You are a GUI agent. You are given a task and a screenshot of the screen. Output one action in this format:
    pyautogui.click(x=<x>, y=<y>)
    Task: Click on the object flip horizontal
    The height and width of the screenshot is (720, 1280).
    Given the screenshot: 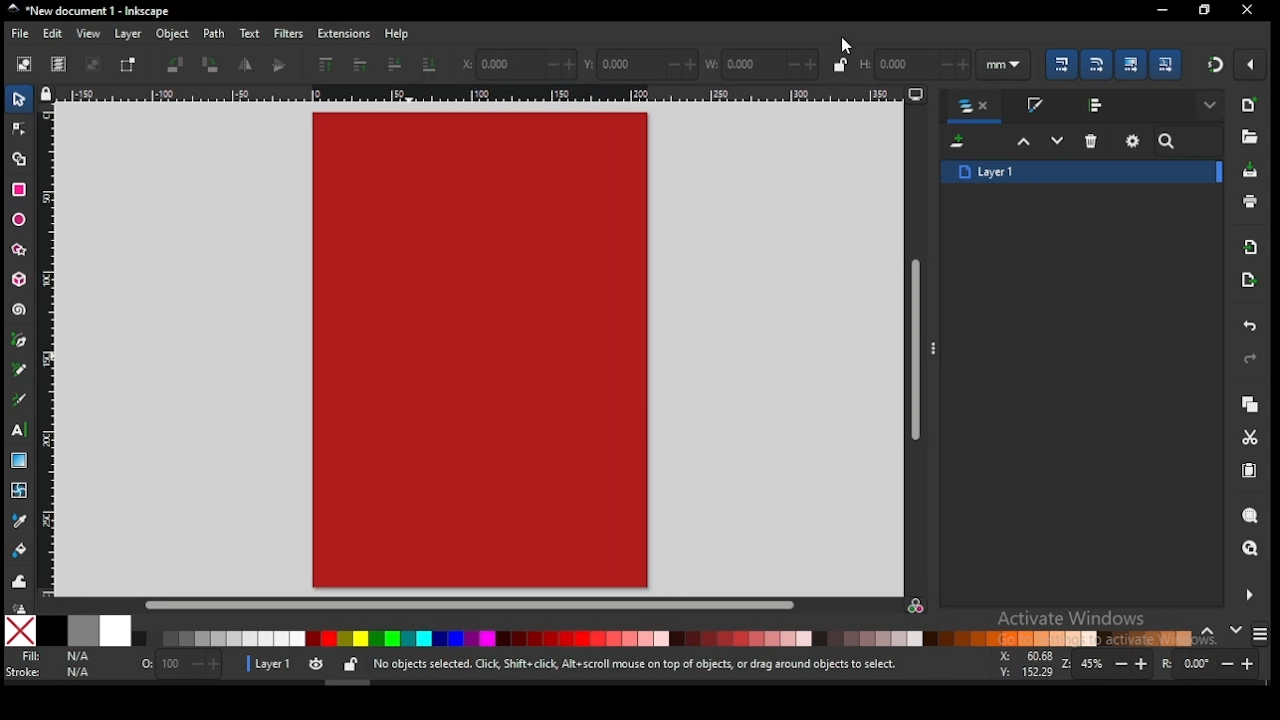 What is the action you would take?
    pyautogui.click(x=246, y=65)
    